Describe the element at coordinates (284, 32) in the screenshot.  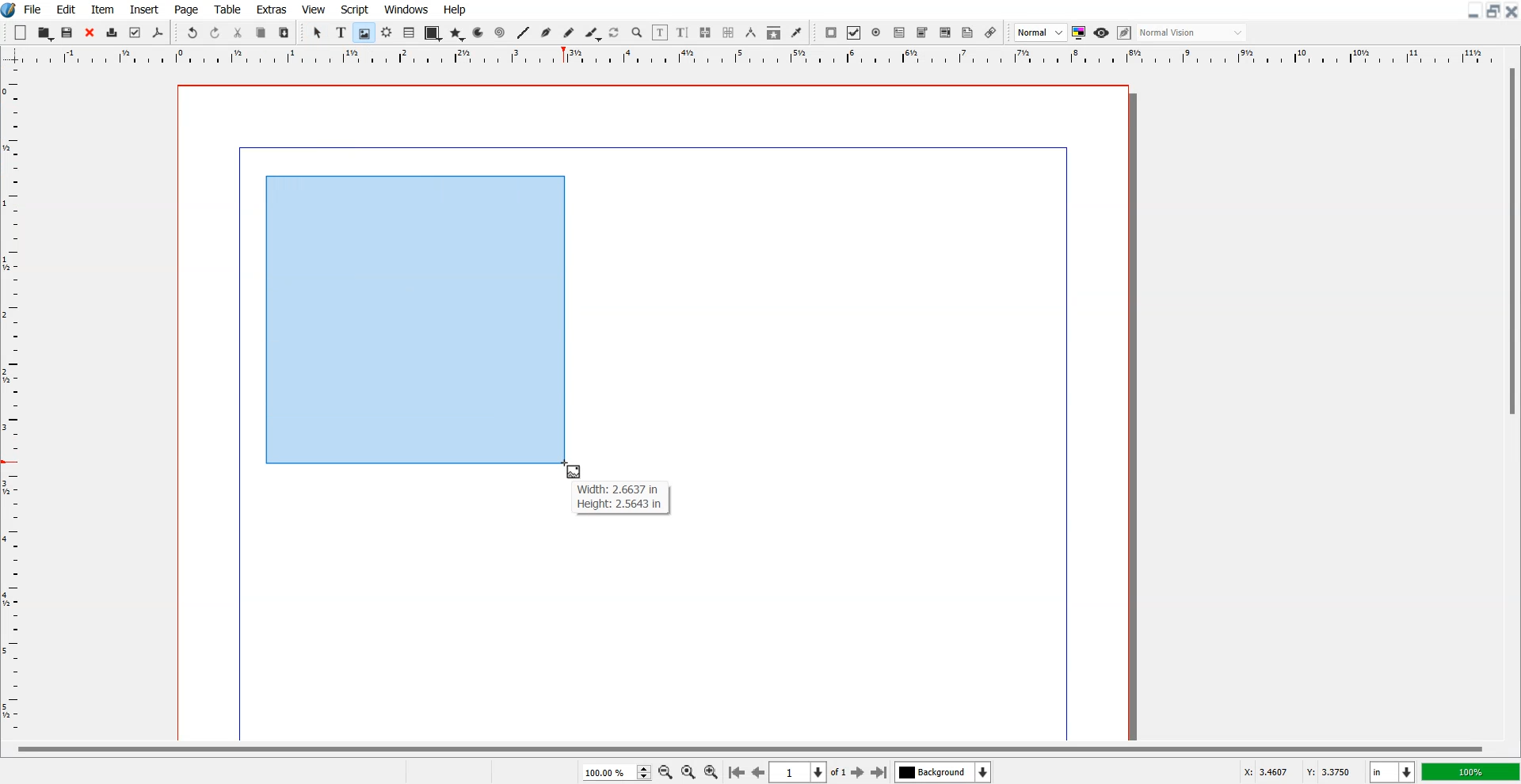
I see `Paste` at that location.